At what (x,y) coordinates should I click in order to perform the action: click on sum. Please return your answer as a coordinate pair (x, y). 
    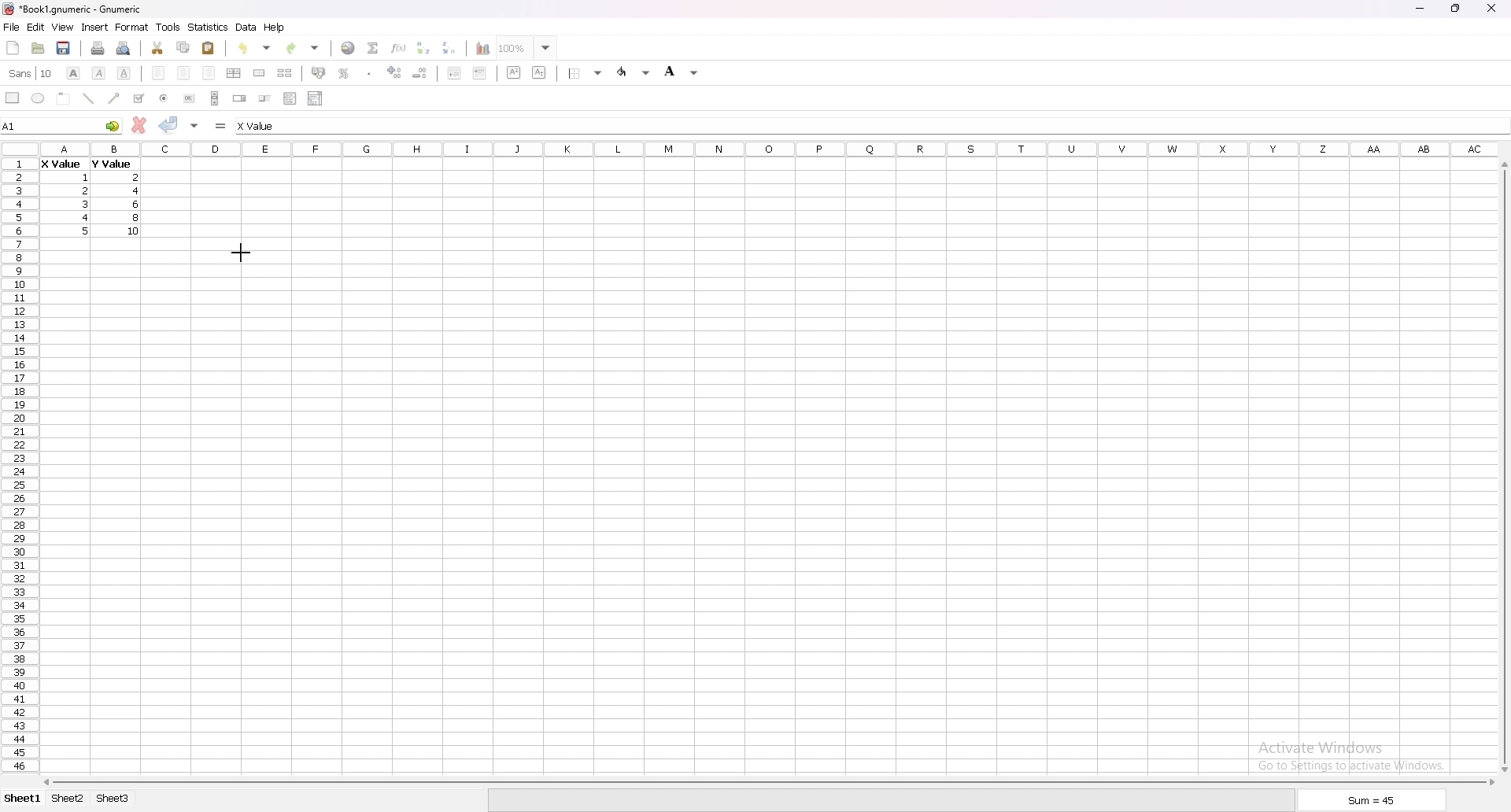
    Looking at the image, I should click on (1372, 803).